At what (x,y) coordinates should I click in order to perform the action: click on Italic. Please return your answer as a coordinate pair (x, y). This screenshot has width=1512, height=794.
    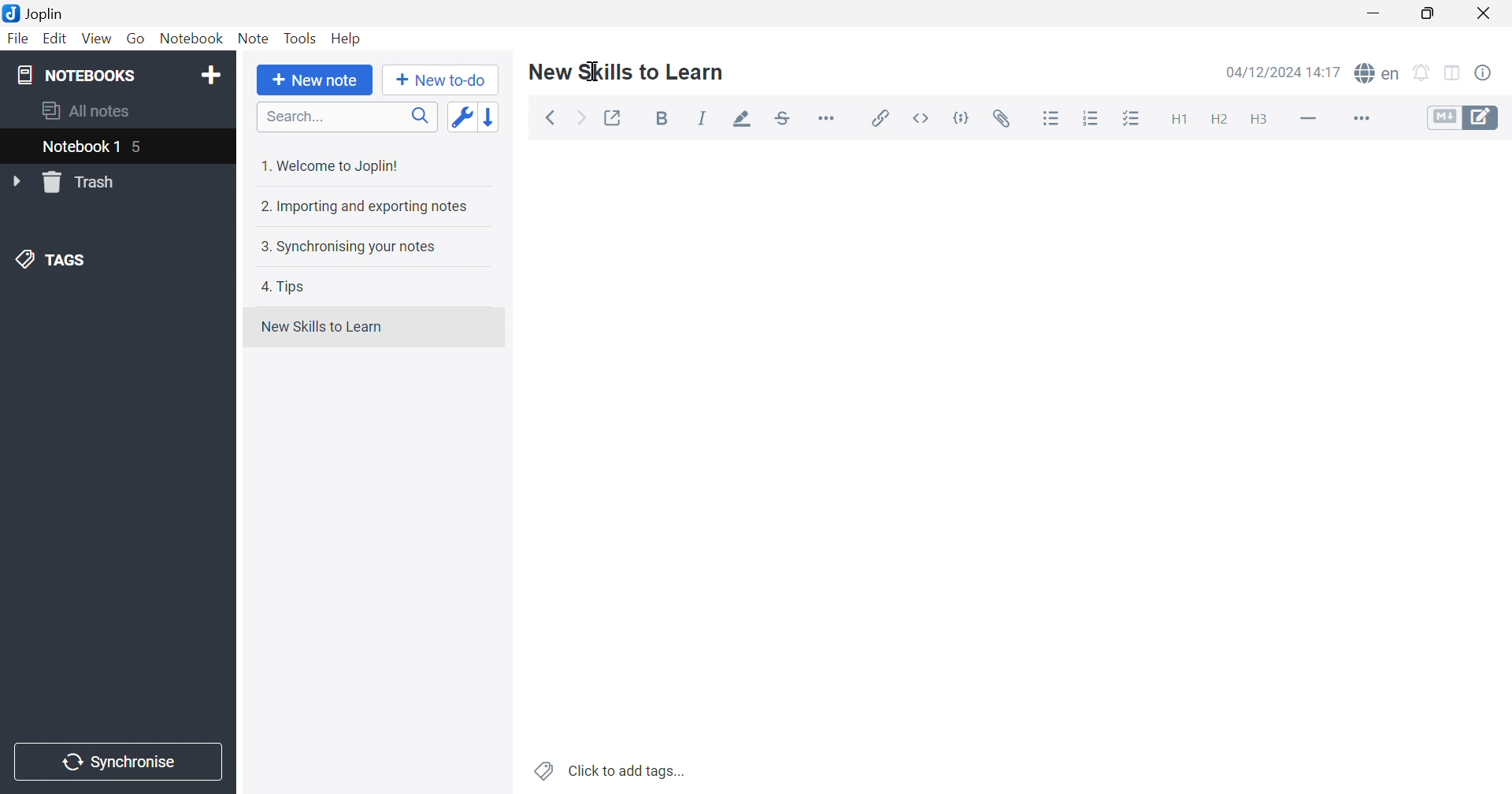
    Looking at the image, I should click on (702, 118).